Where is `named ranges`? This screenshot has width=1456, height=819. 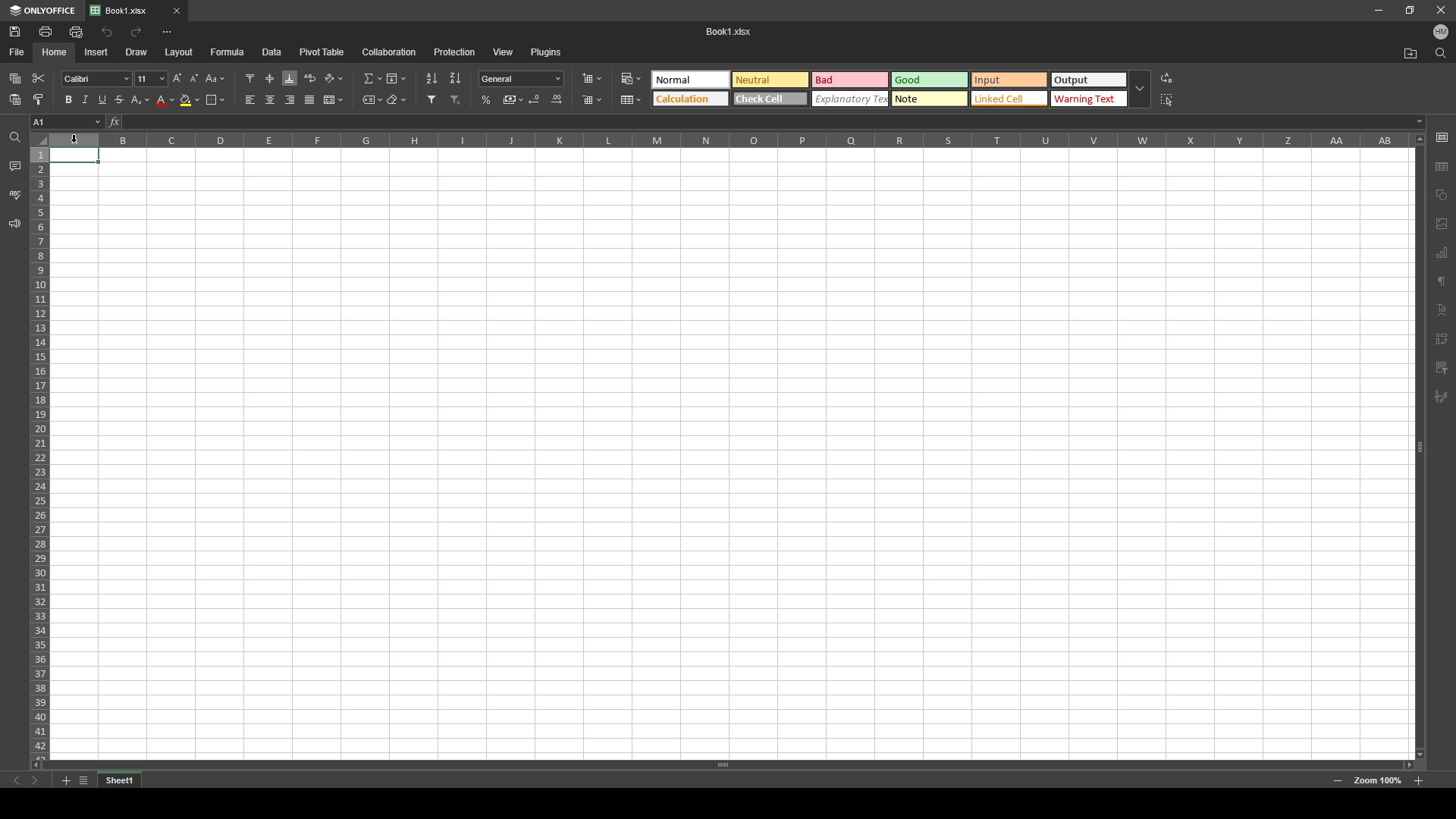
named ranges is located at coordinates (372, 100).